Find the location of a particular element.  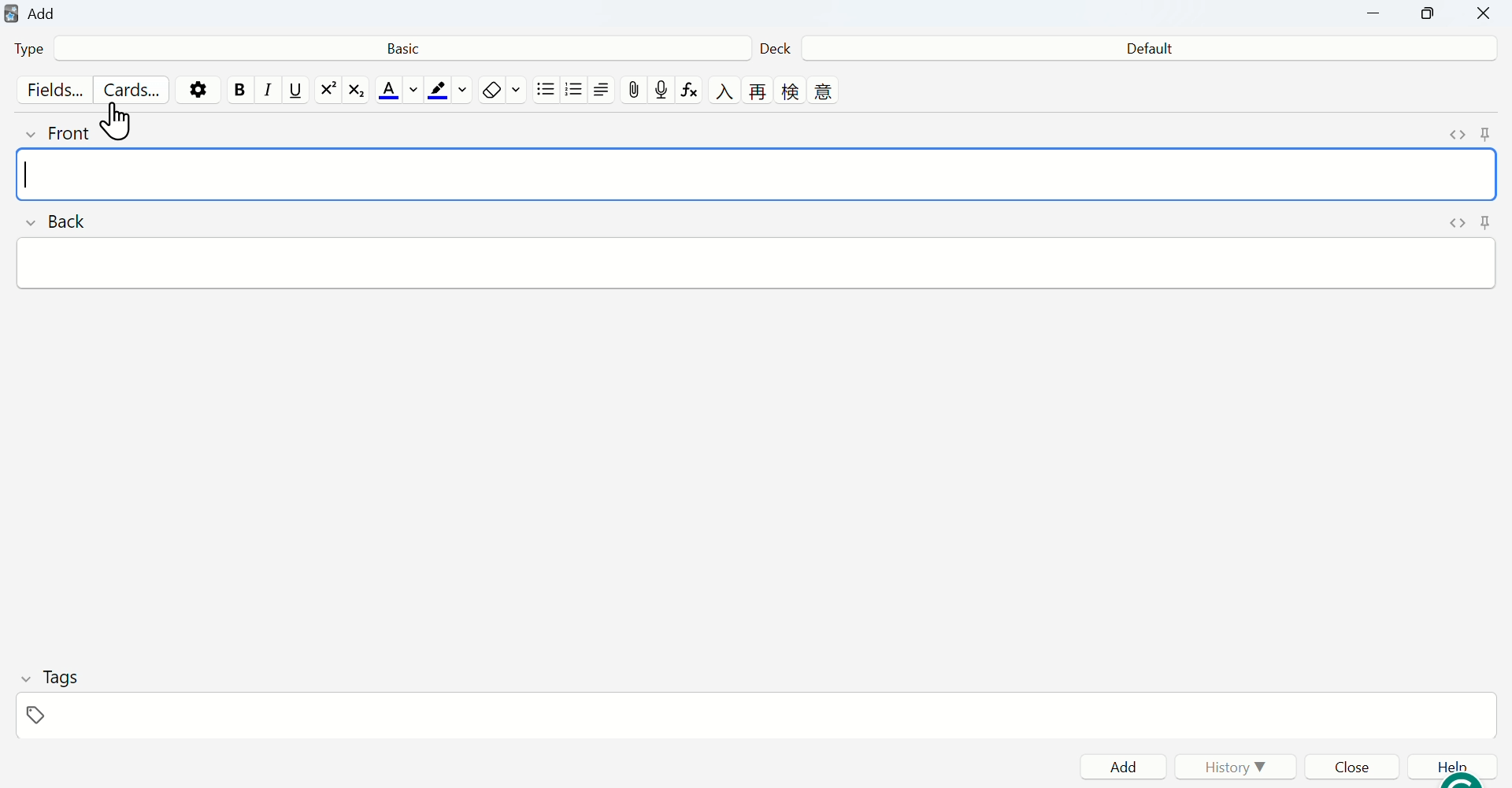

Close is located at coordinates (1486, 21).